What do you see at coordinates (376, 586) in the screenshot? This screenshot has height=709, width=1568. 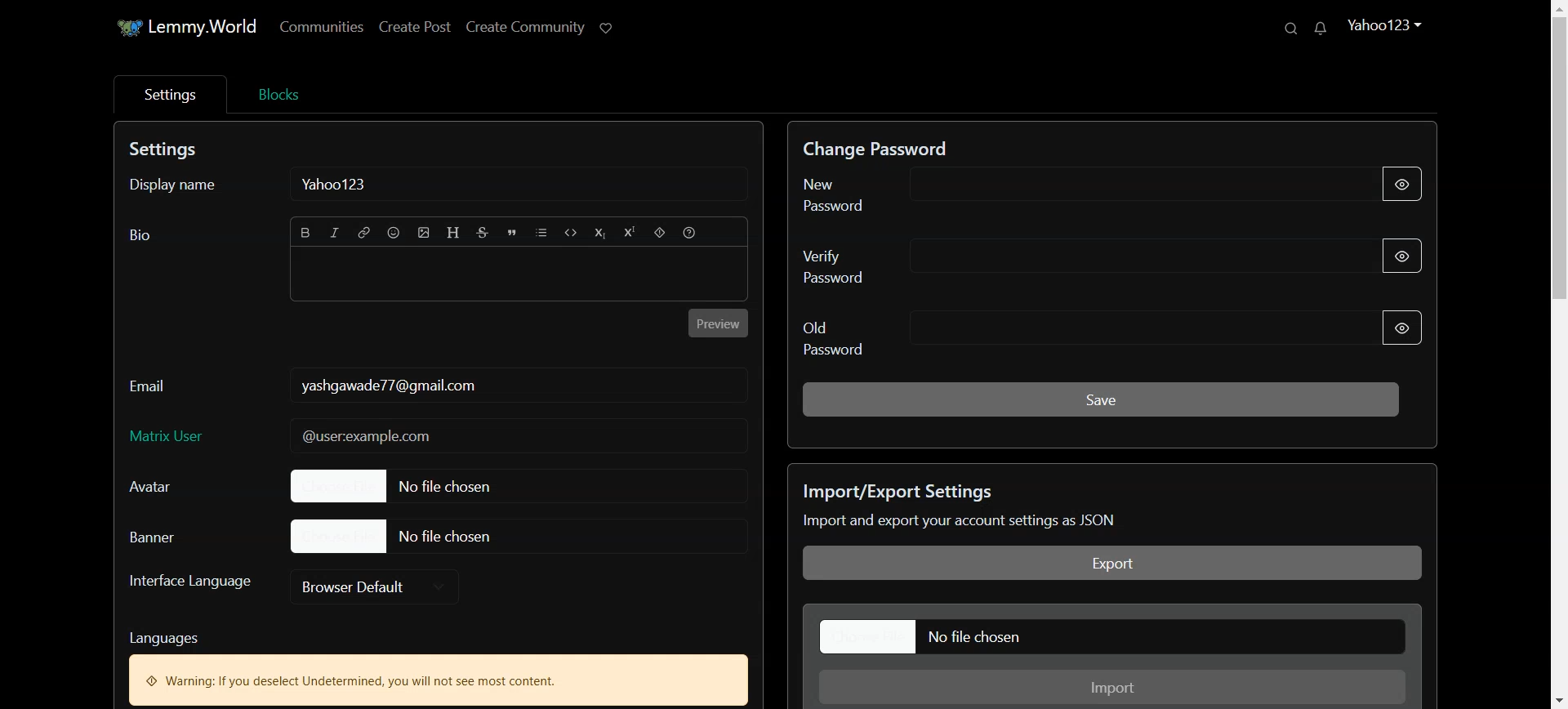 I see `Browser default` at bounding box center [376, 586].